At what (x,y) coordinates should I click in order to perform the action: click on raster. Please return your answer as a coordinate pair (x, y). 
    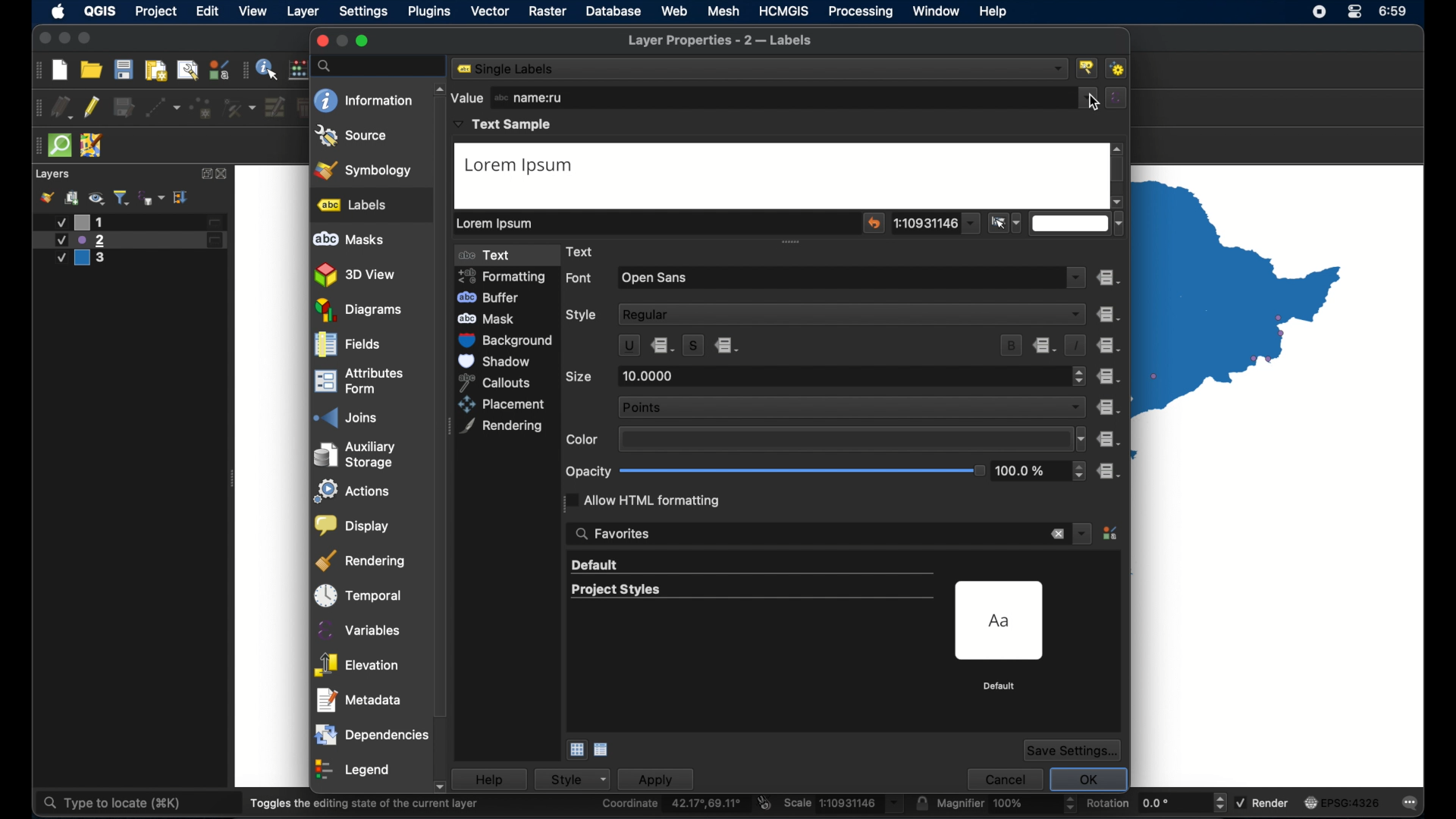
    Looking at the image, I should click on (548, 11).